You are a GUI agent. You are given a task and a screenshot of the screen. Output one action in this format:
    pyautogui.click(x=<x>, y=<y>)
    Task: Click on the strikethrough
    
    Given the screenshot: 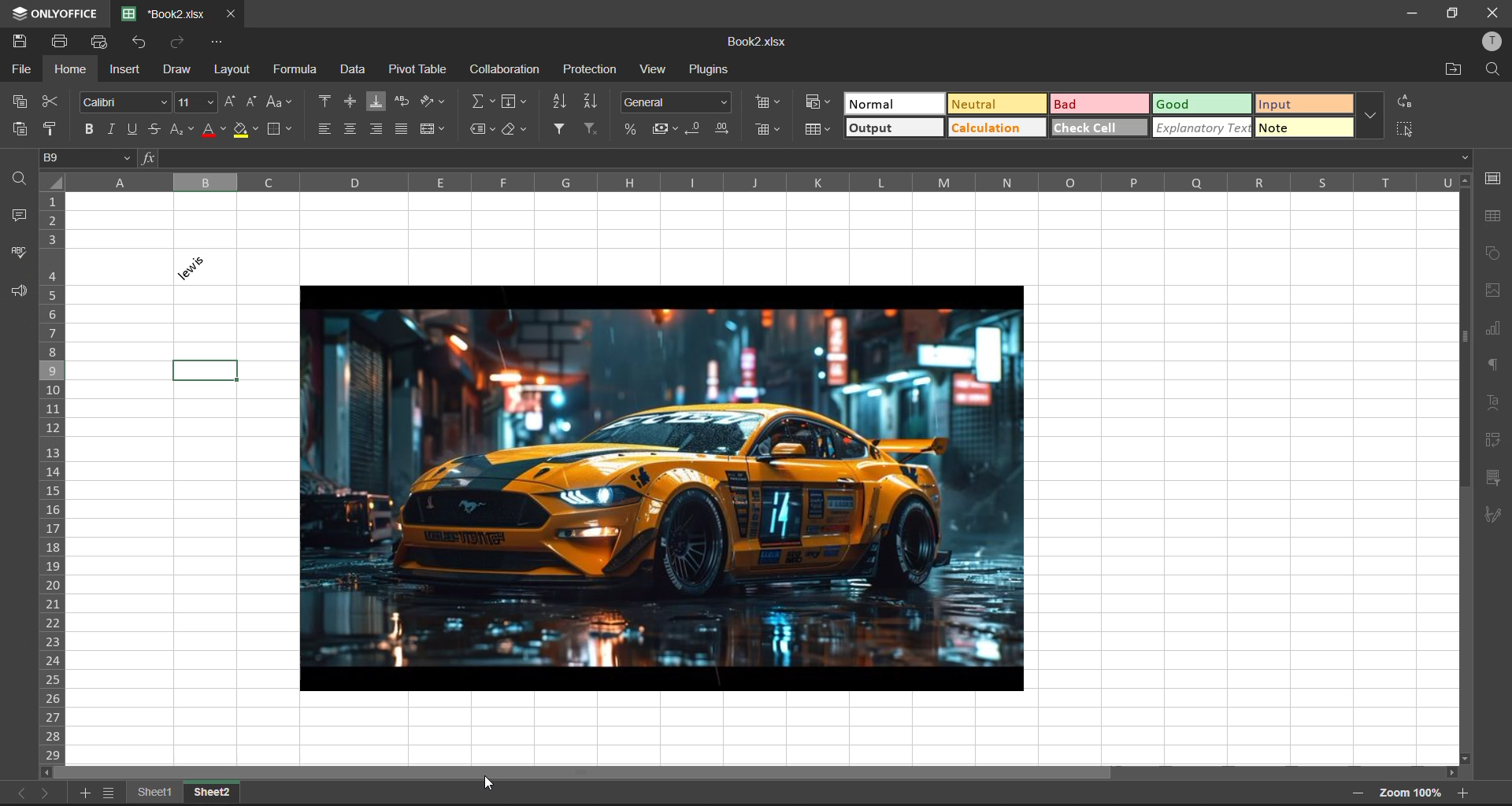 What is the action you would take?
    pyautogui.click(x=150, y=130)
    